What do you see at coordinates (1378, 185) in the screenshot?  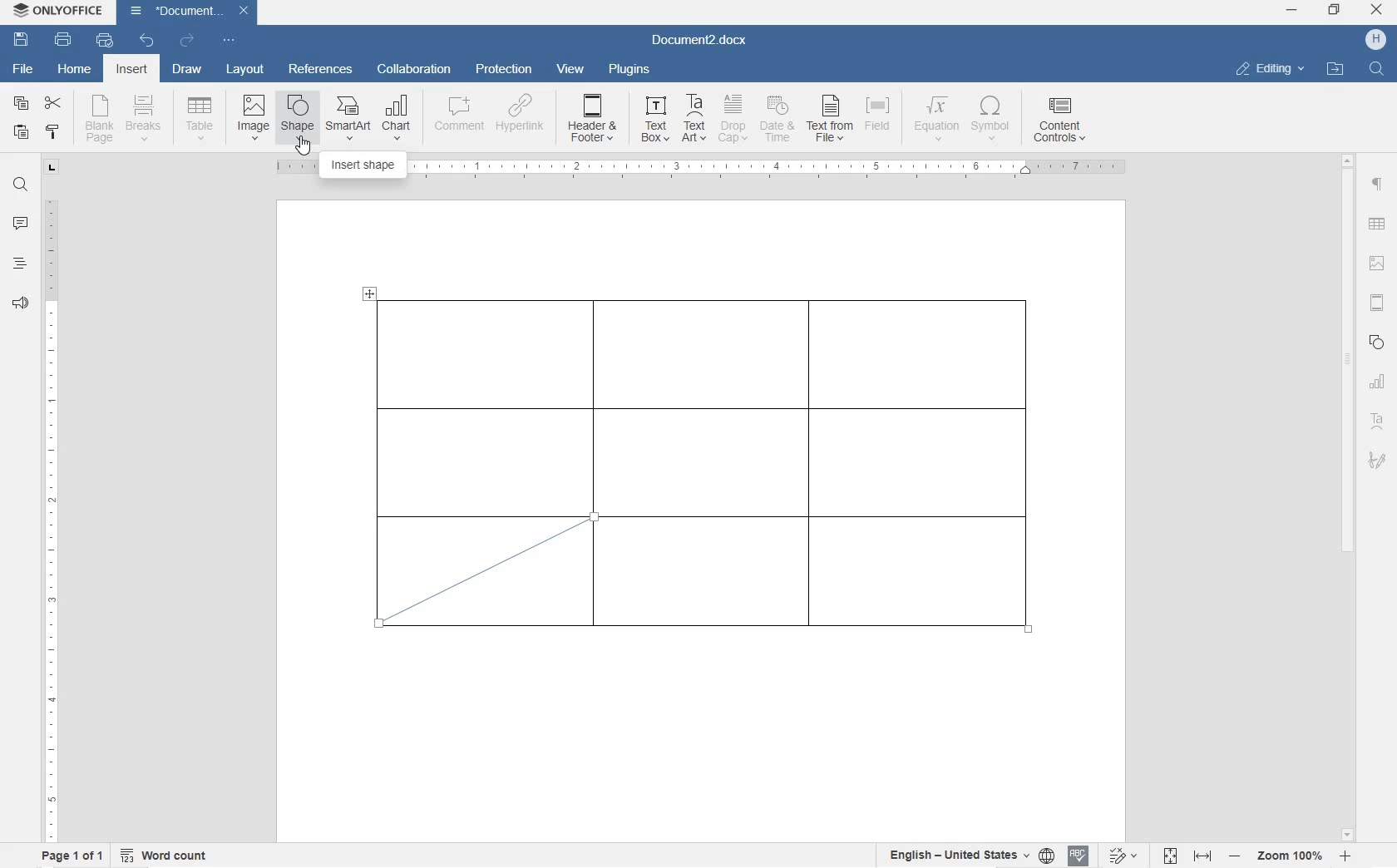 I see `paragraph settings` at bounding box center [1378, 185].